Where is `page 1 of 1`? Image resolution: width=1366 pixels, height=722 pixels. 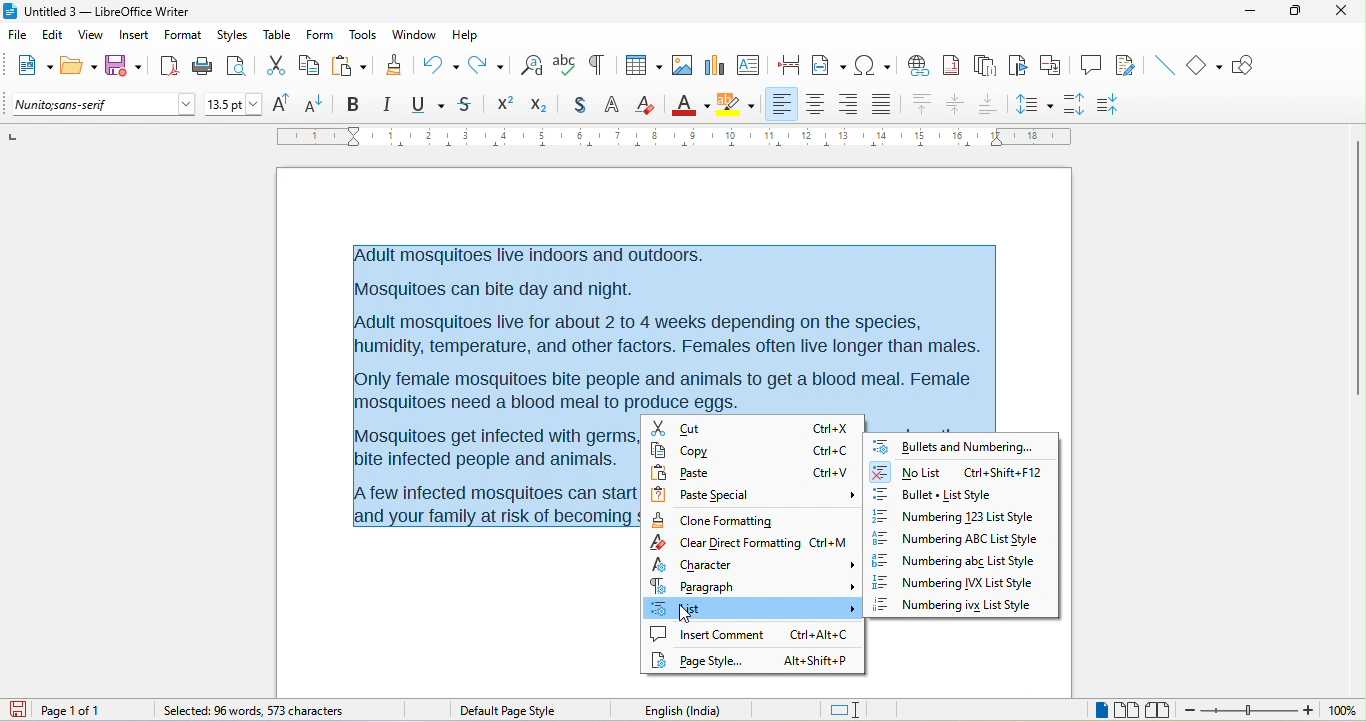
page 1 of 1 is located at coordinates (91, 710).